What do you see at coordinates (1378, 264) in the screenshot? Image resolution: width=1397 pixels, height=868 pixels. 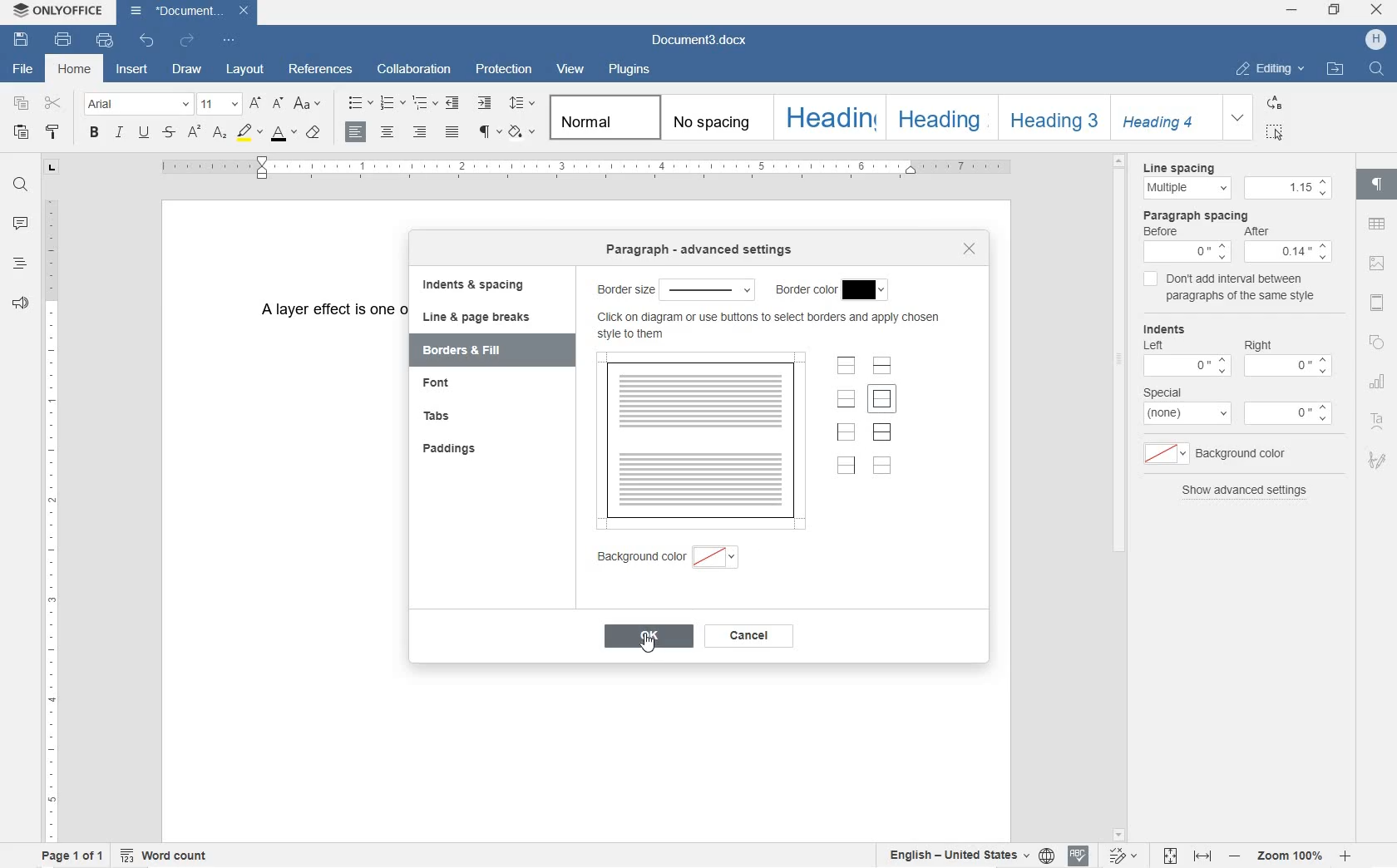 I see `IMAGE` at bounding box center [1378, 264].